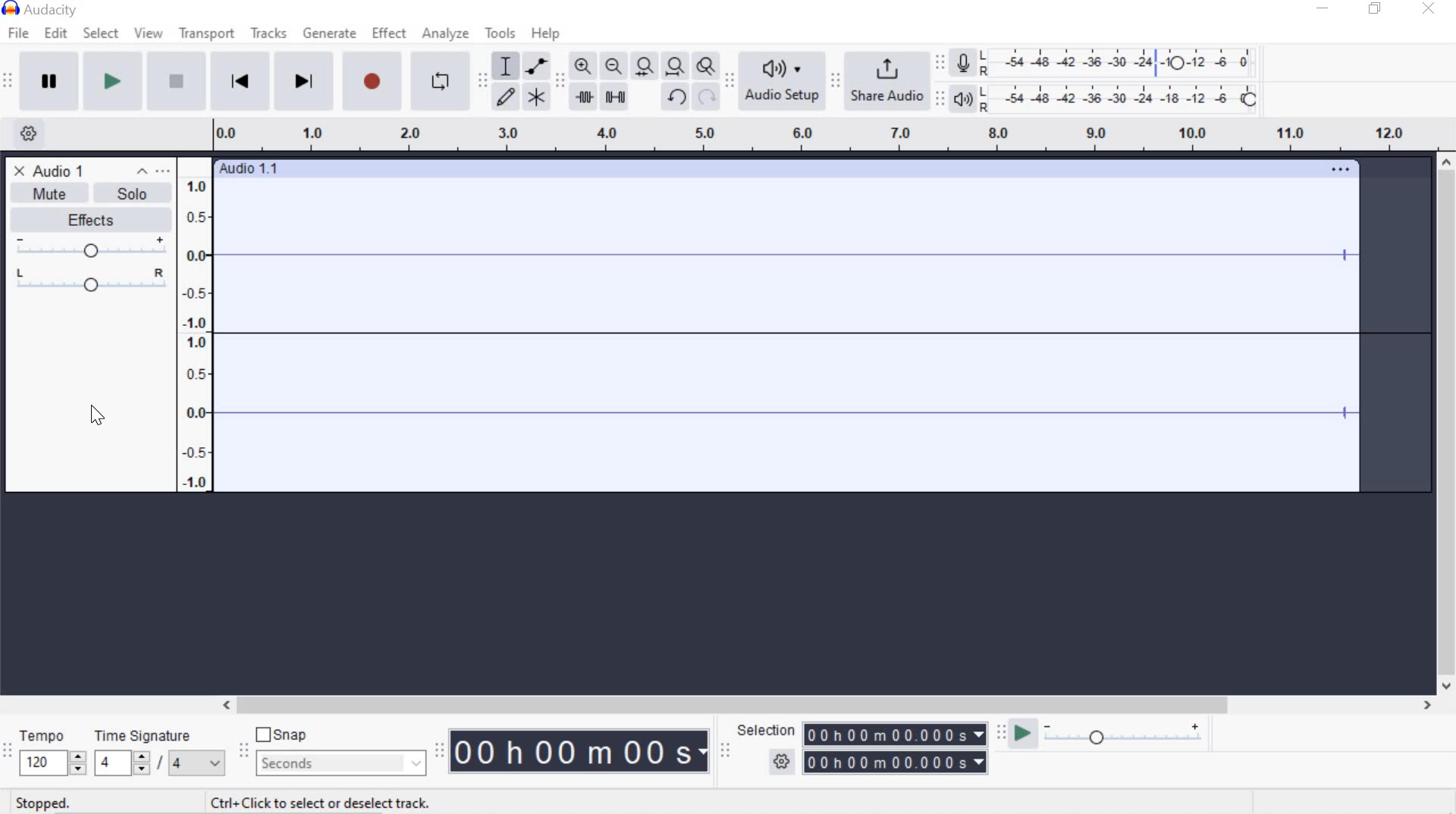 The image size is (1456, 814). Describe the element at coordinates (197, 324) in the screenshot. I see `Menu` at that location.